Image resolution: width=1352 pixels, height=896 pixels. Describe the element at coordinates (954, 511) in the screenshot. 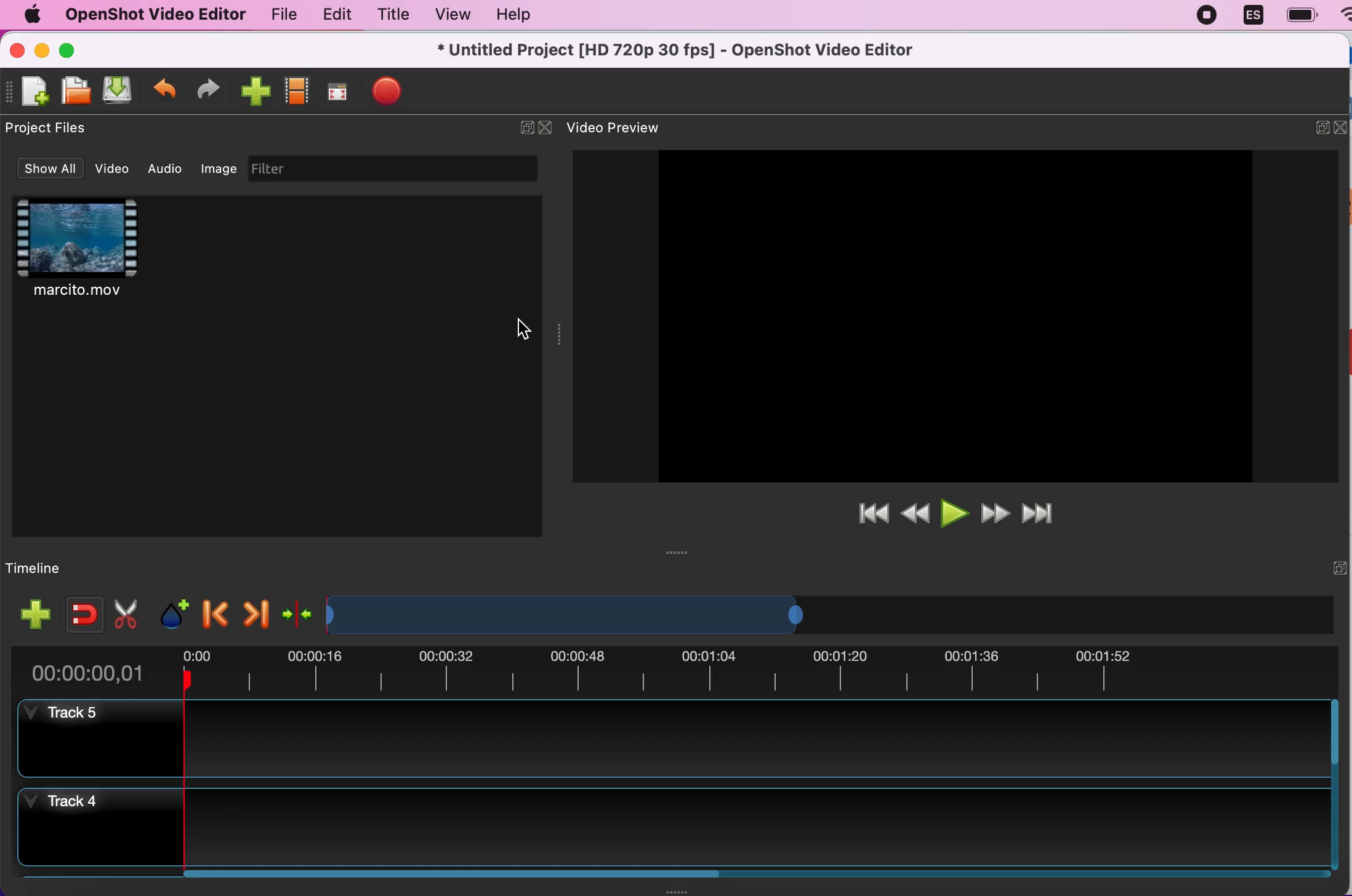

I see `play` at that location.